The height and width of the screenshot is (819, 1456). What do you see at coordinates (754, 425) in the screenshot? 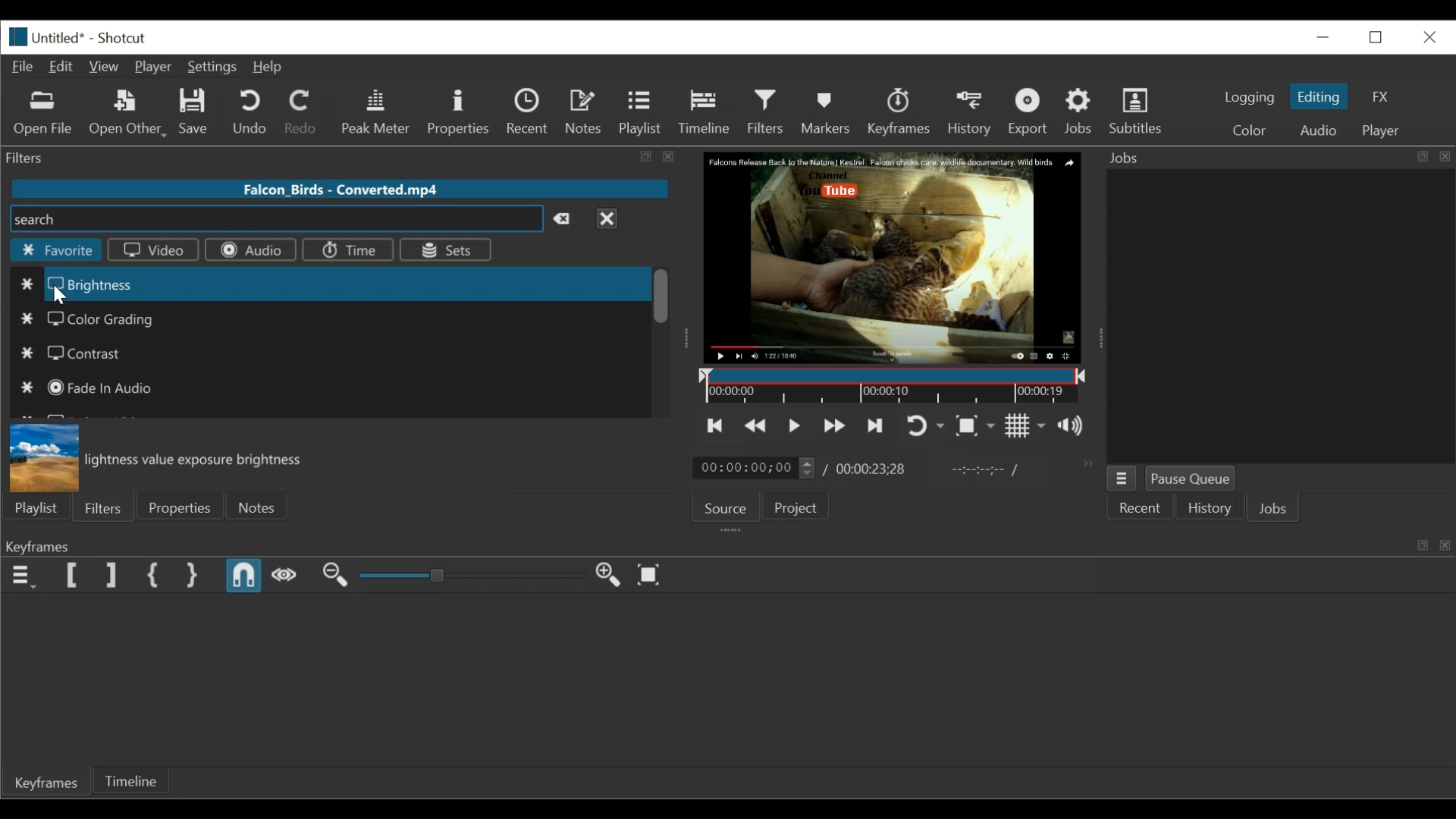
I see `Play backward quickly` at bounding box center [754, 425].